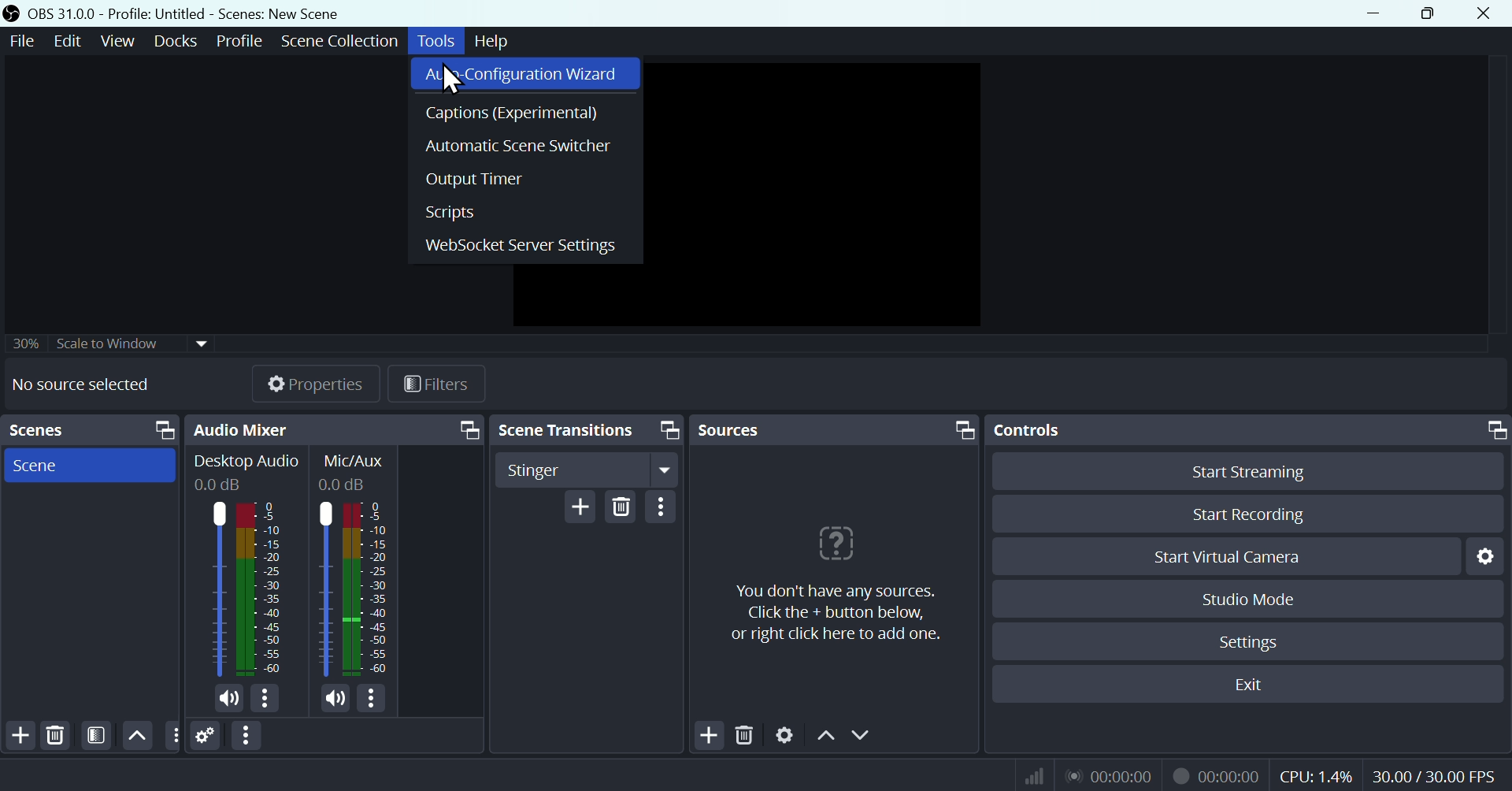  Describe the element at coordinates (750, 429) in the screenshot. I see `sources` at that location.